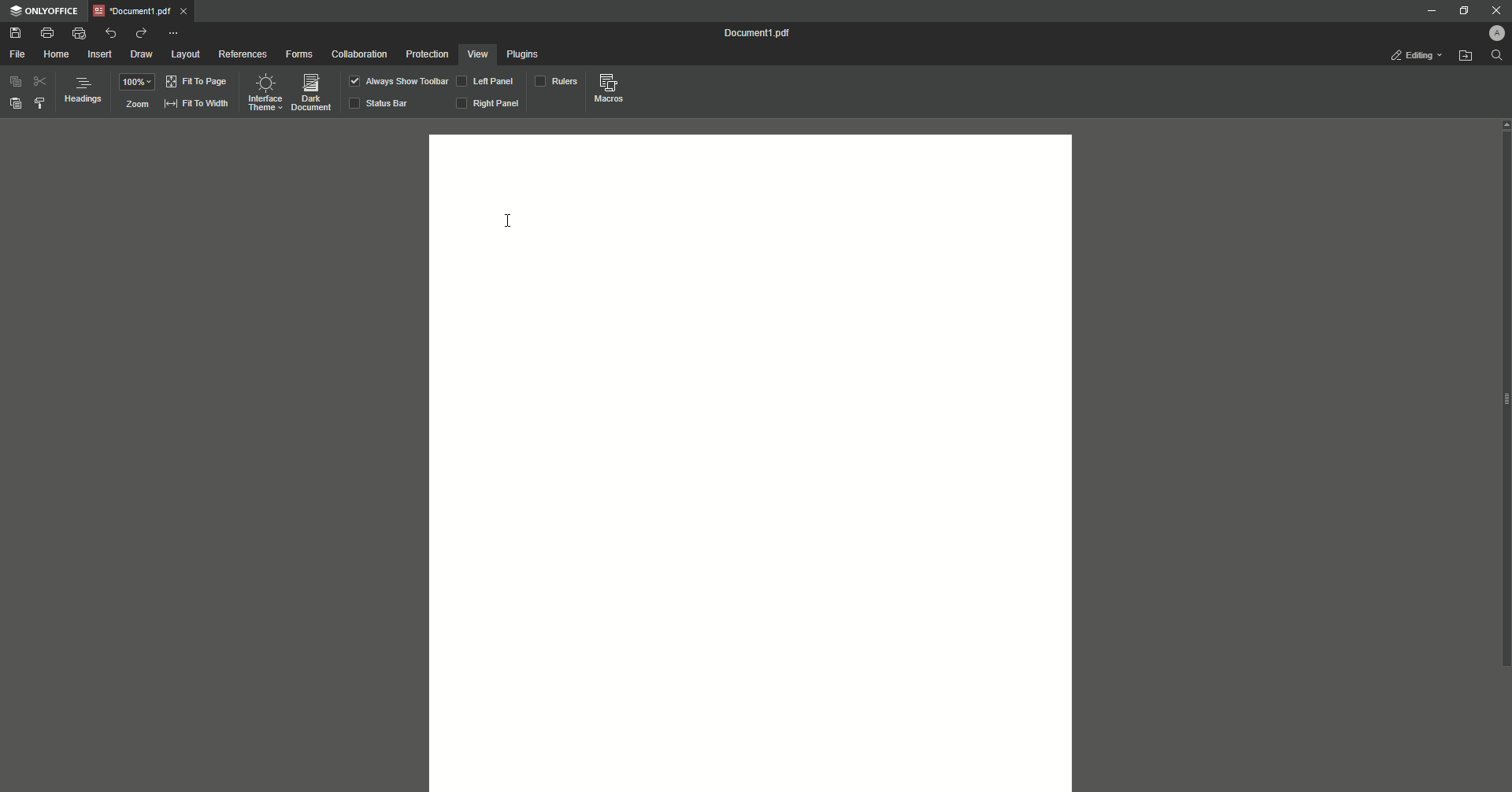 The width and height of the screenshot is (1512, 792). What do you see at coordinates (398, 80) in the screenshot?
I see `Show Toolbar` at bounding box center [398, 80].